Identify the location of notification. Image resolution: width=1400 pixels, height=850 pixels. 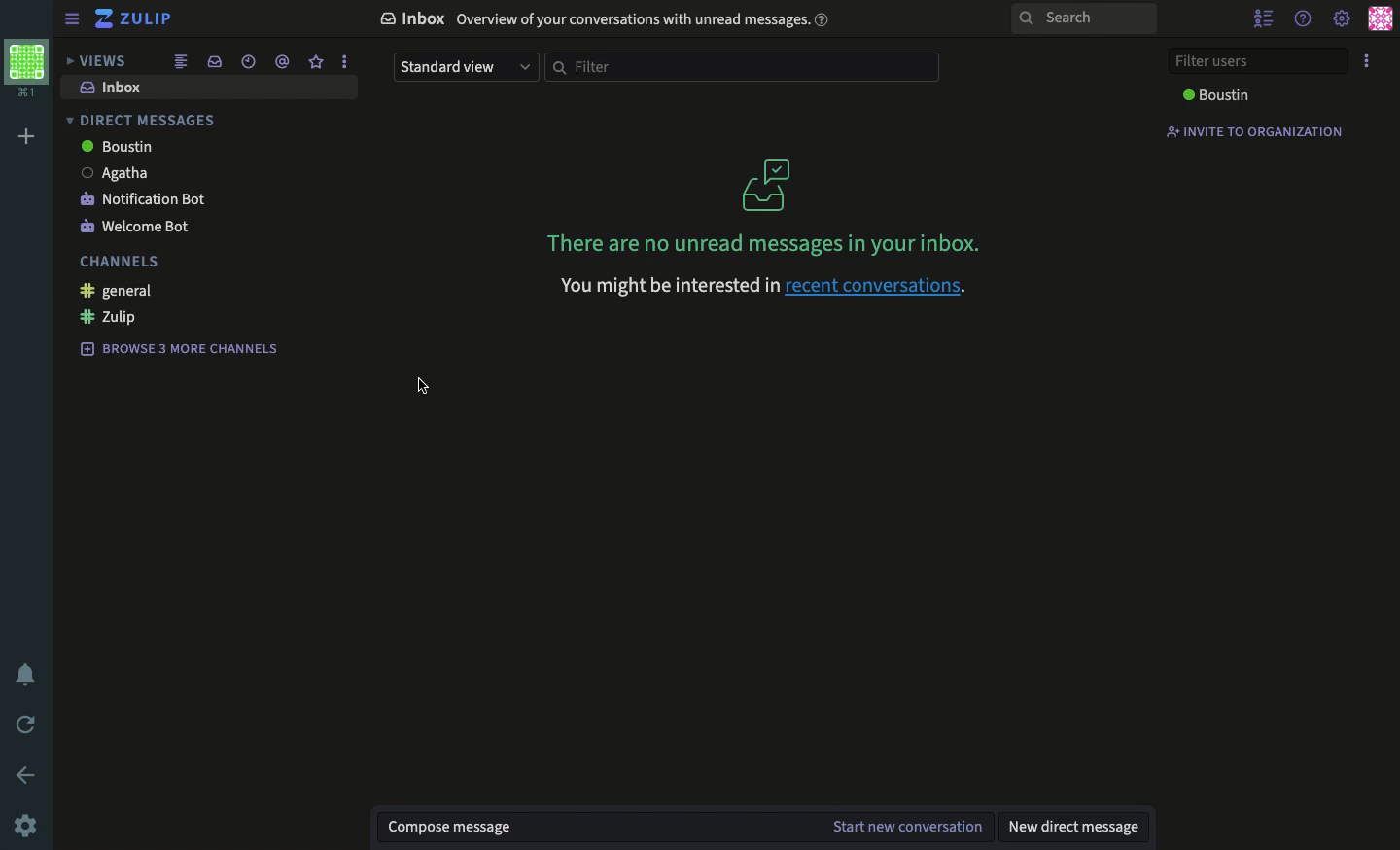
(28, 673).